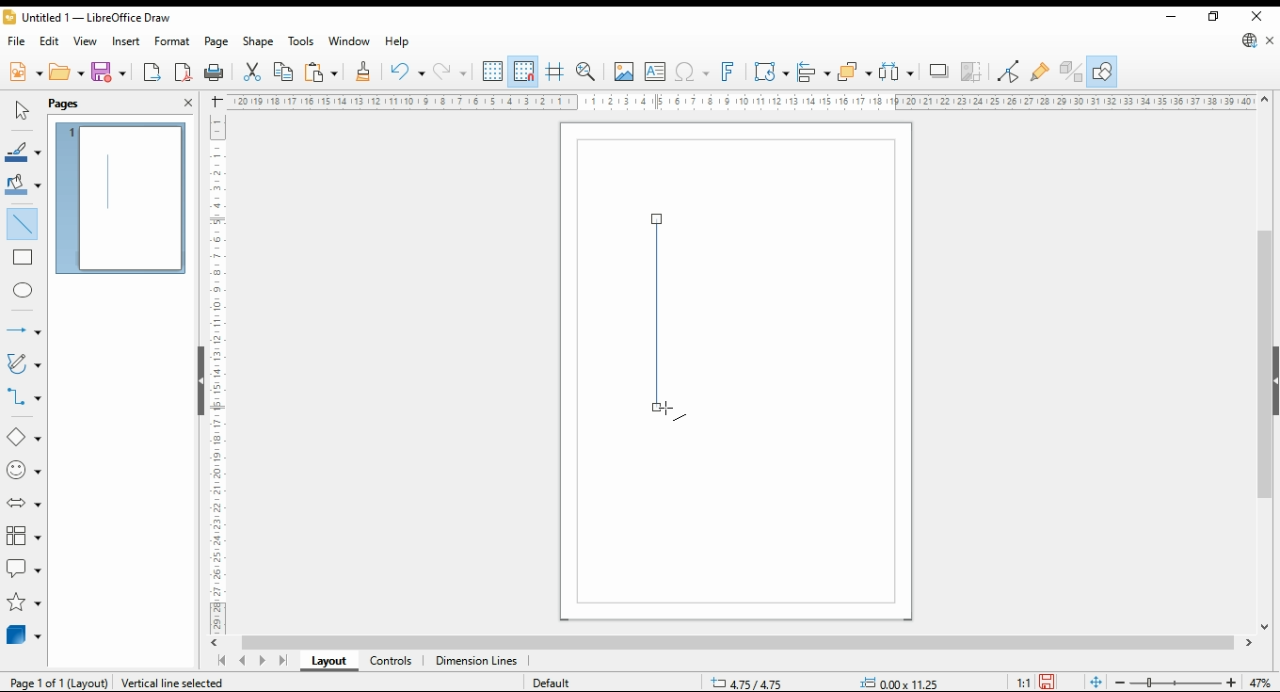 The height and width of the screenshot is (692, 1280). I want to click on close window, so click(1259, 16).